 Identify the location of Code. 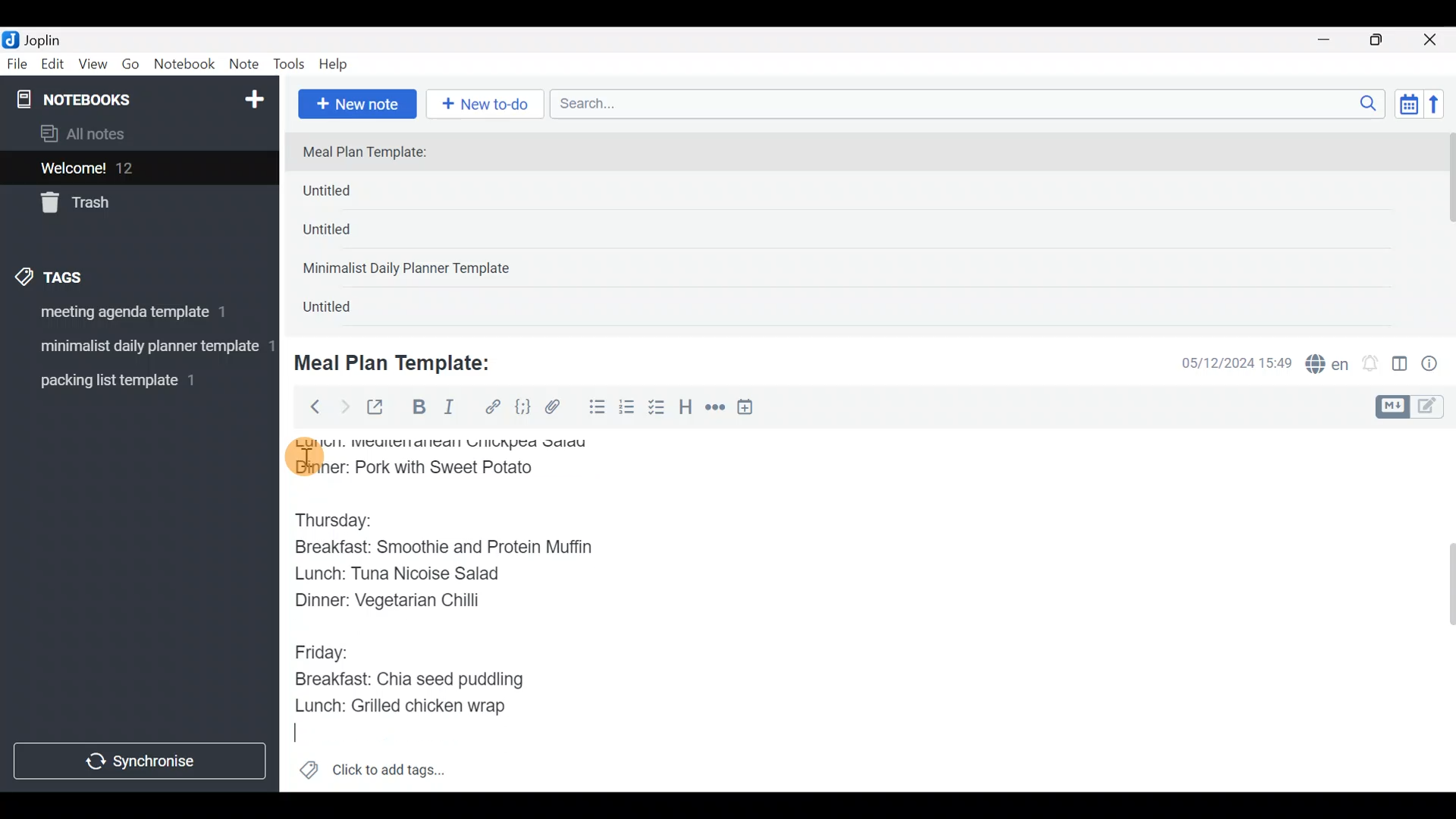
(521, 406).